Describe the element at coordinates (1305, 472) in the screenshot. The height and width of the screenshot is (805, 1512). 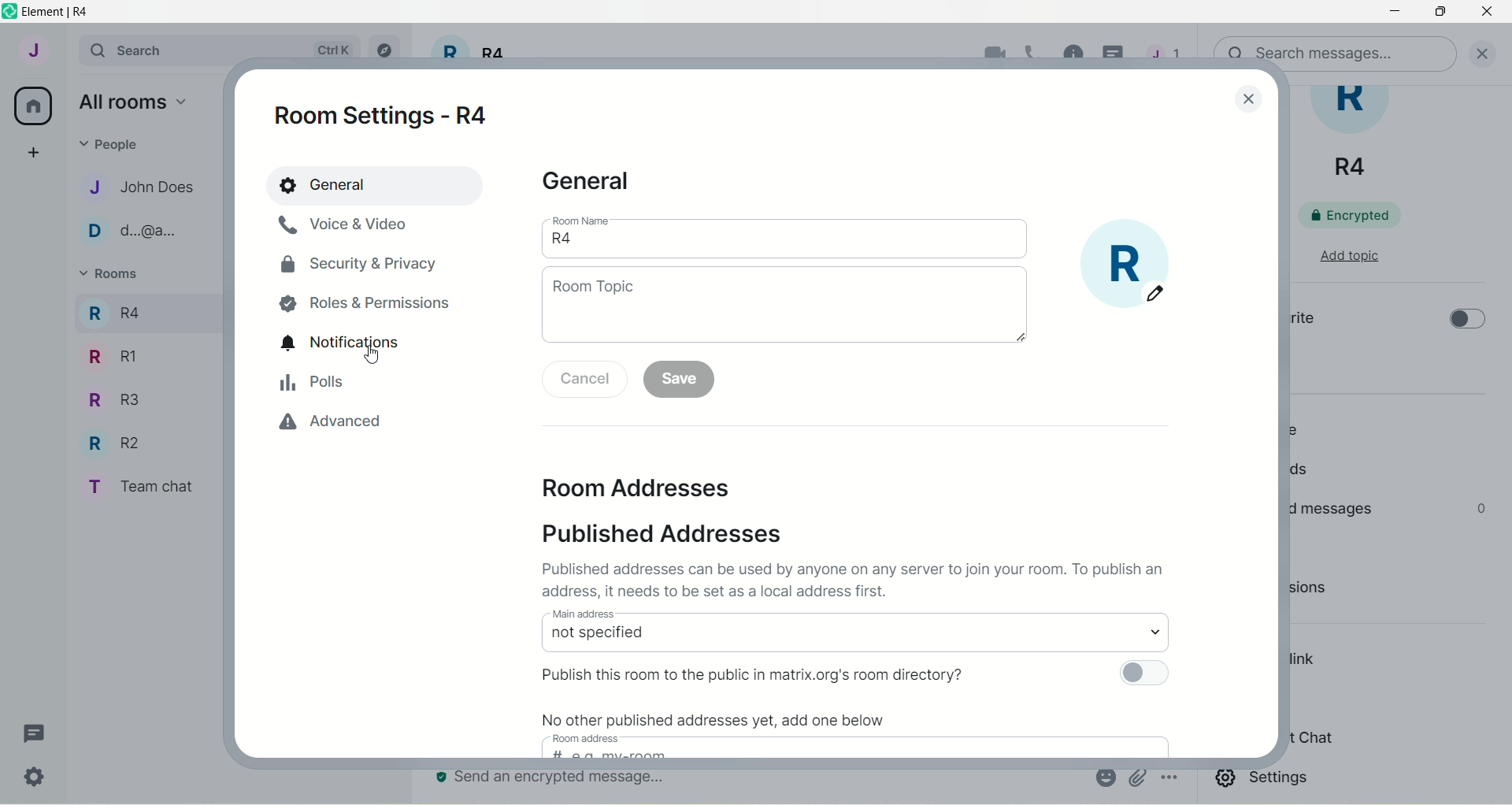
I see `threads` at that location.